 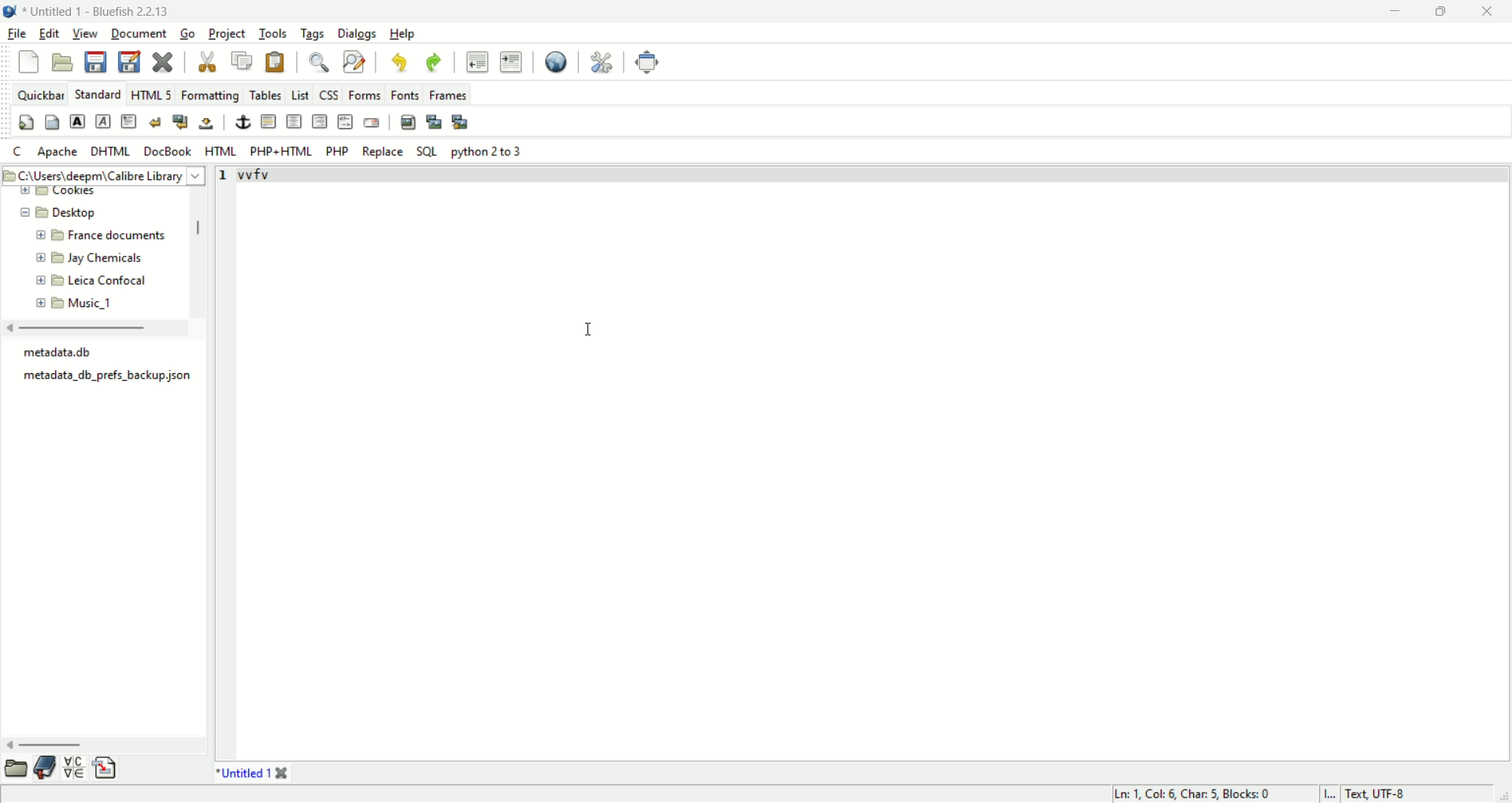 I want to click on quickstart, so click(x=23, y=121).